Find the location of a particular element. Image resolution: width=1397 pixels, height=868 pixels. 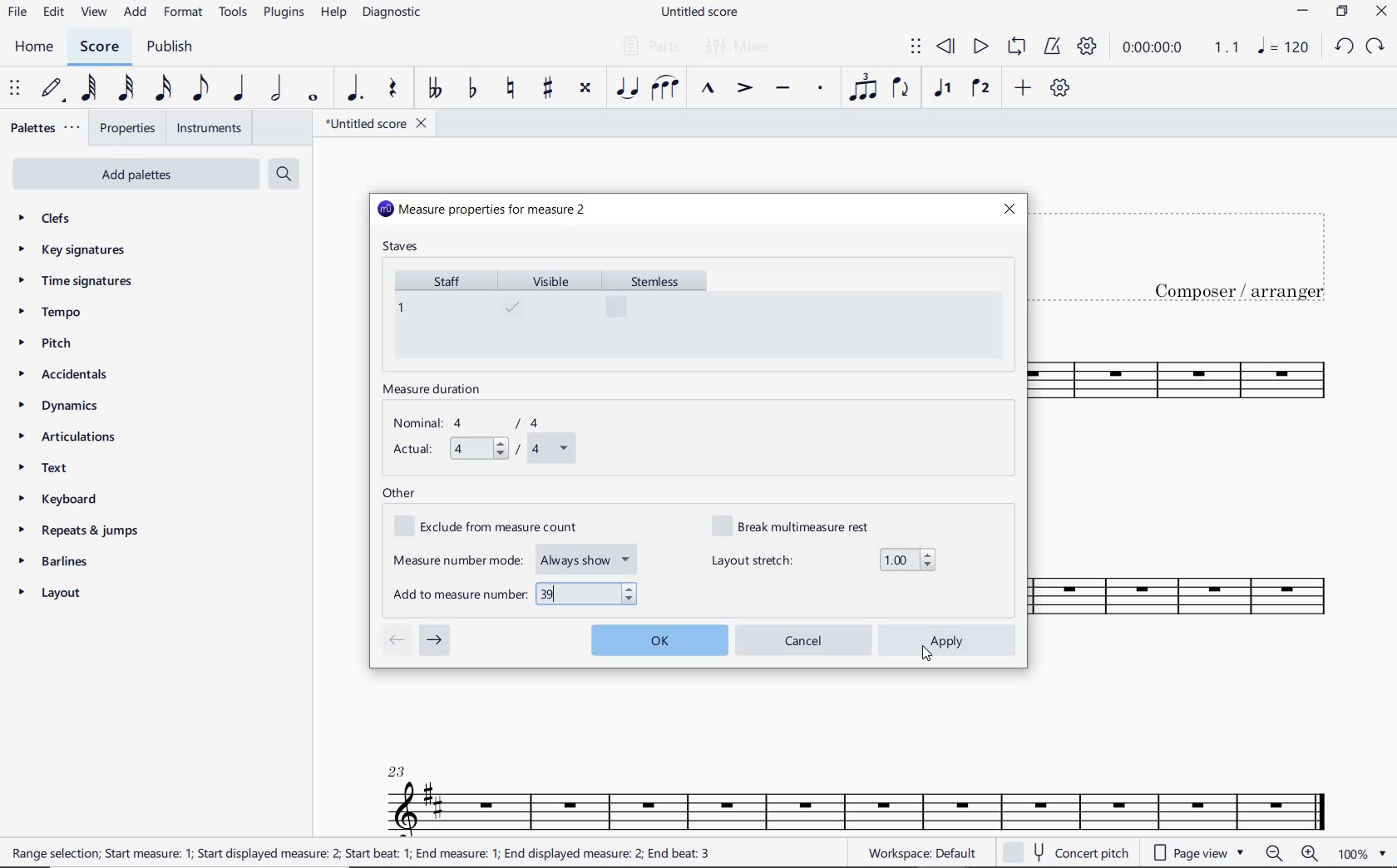

TIME SIGNATURES is located at coordinates (77, 282).